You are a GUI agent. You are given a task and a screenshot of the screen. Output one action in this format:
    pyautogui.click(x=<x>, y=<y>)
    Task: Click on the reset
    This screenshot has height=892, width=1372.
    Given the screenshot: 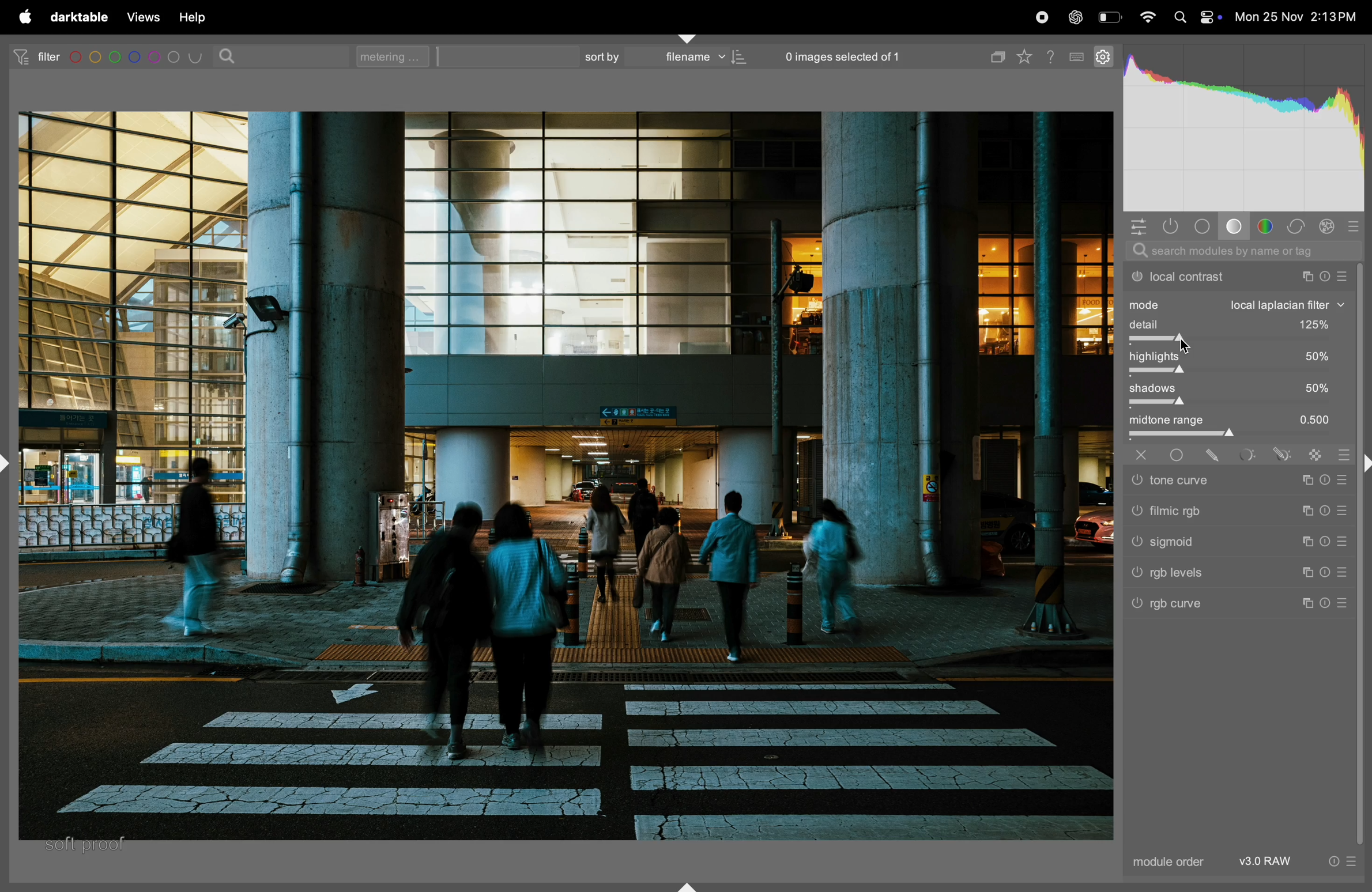 What is the action you would take?
    pyautogui.click(x=1333, y=860)
    